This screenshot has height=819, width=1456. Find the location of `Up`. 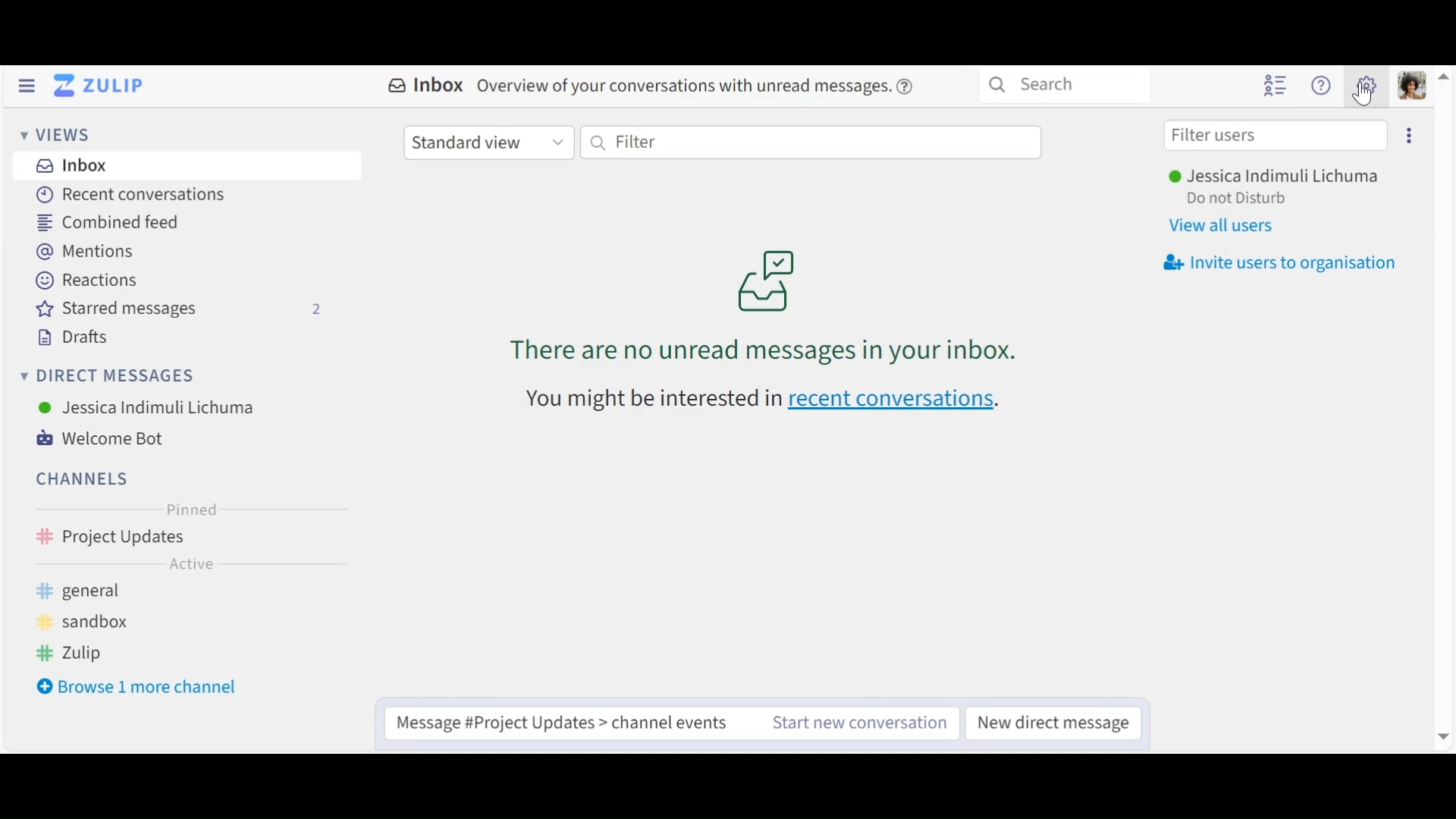

Up is located at coordinates (1446, 80).